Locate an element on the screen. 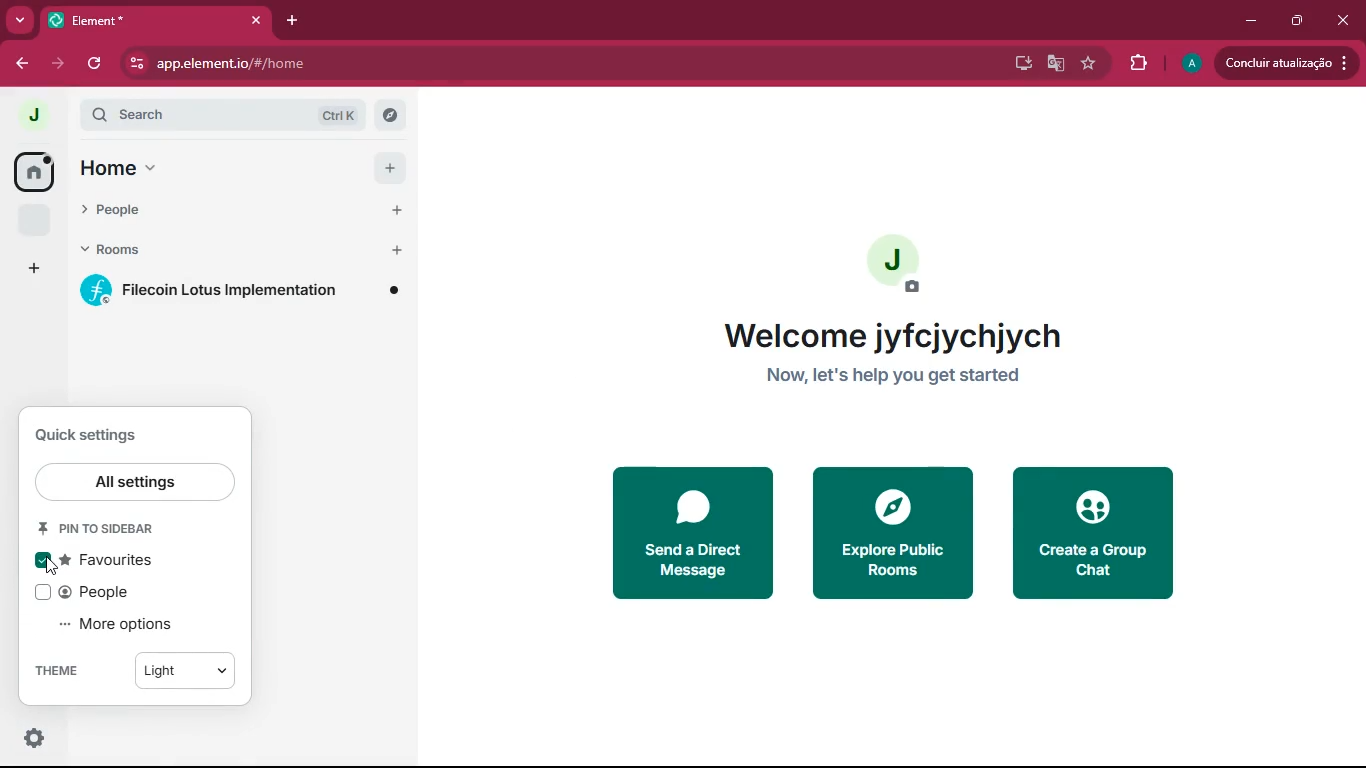 The image size is (1366, 768). home is located at coordinates (31, 171).